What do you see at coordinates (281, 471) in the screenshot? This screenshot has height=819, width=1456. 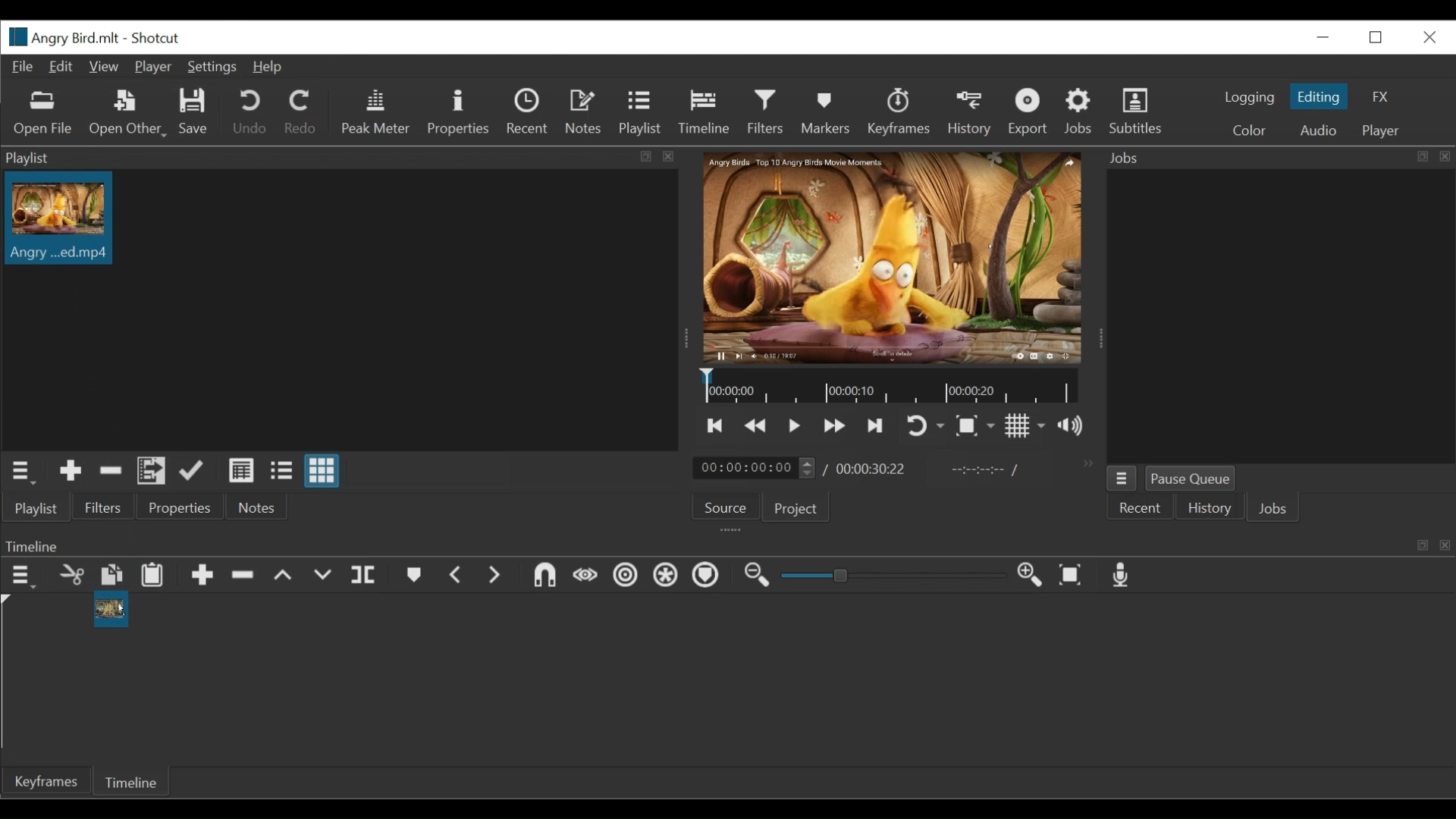 I see `View as file` at bounding box center [281, 471].